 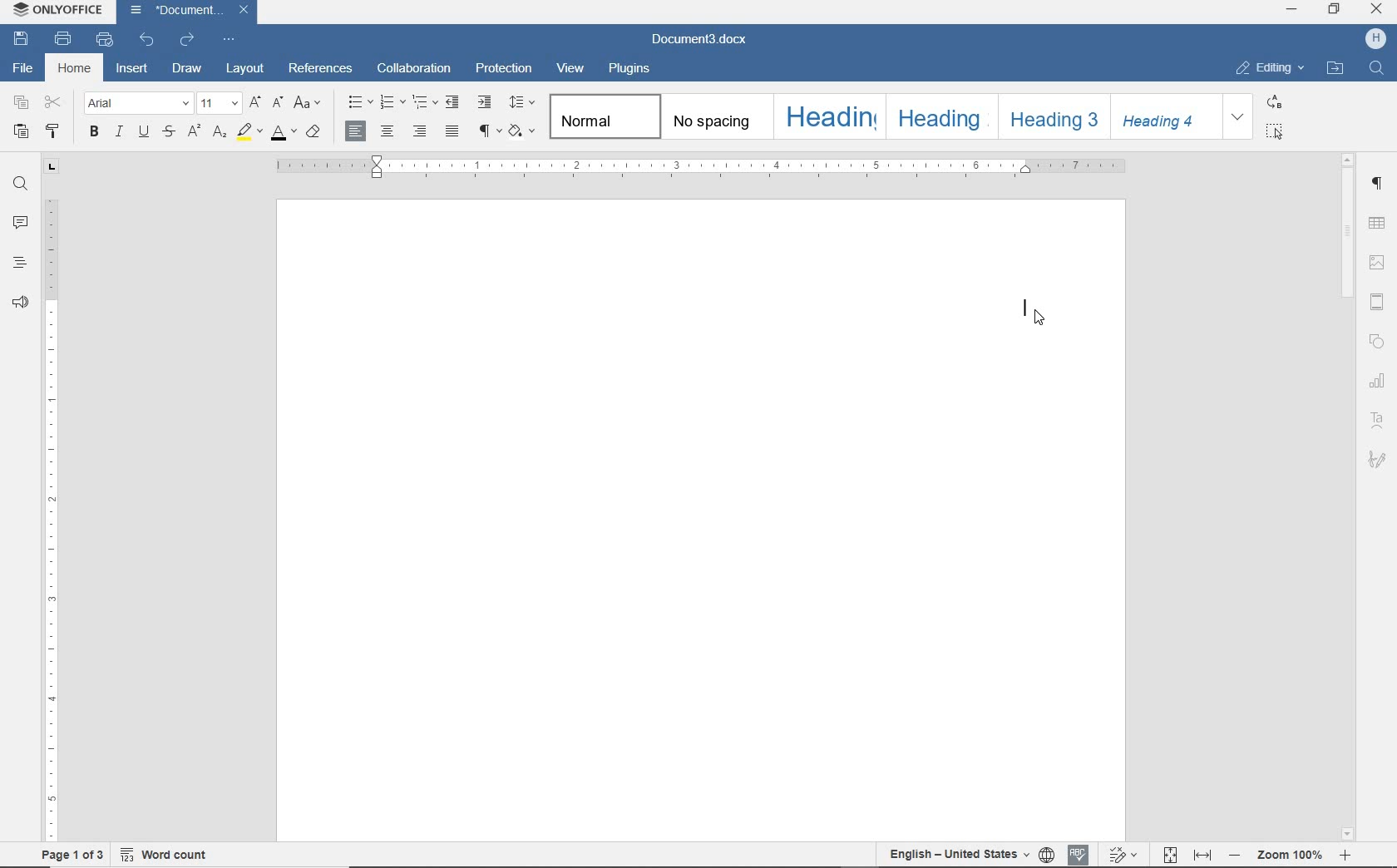 I want to click on UNDO, so click(x=149, y=38).